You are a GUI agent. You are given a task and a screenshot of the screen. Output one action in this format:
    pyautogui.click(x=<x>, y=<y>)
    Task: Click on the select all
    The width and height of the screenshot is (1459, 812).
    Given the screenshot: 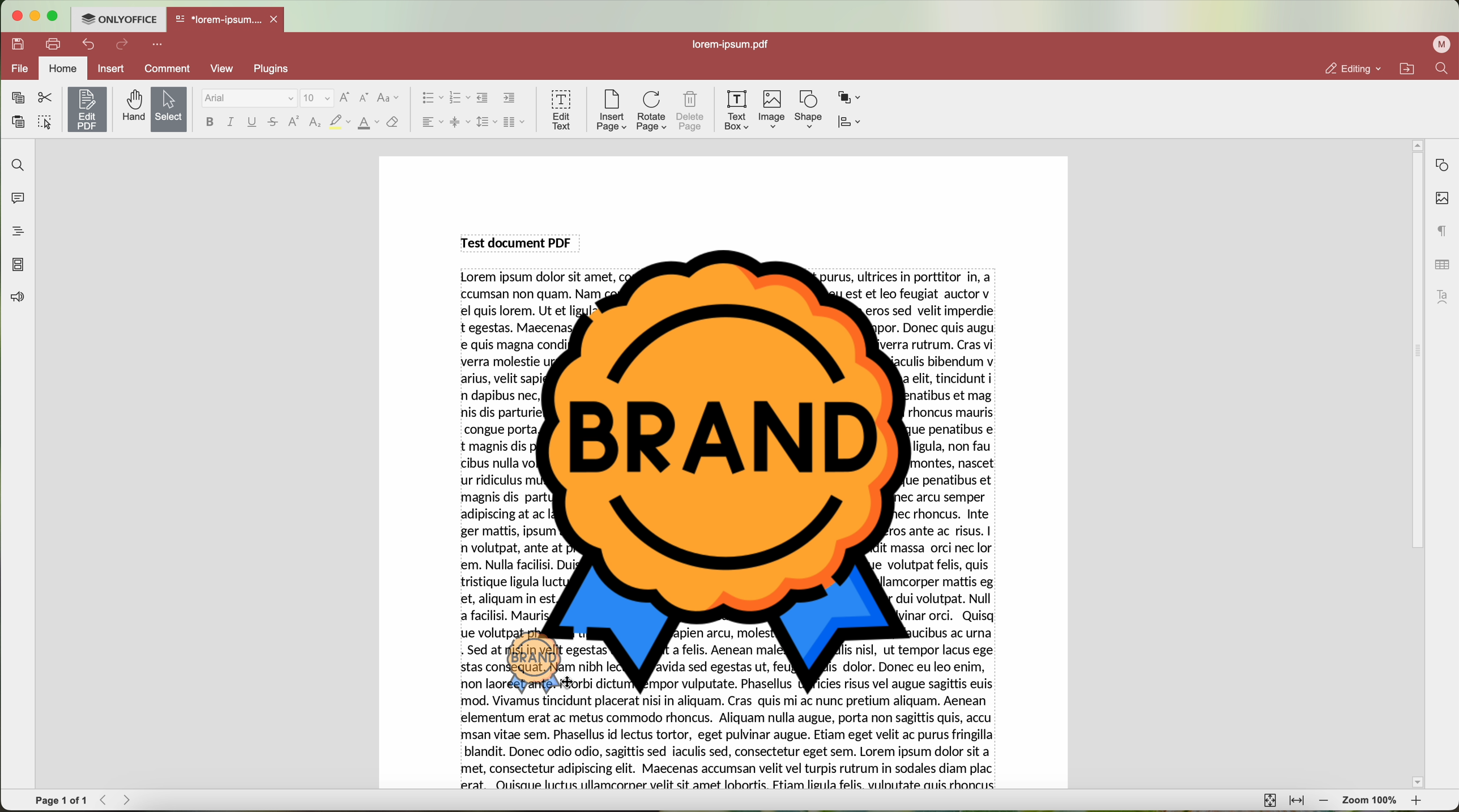 What is the action you would take?
    pyautogui.click(x=45, y=123)
    